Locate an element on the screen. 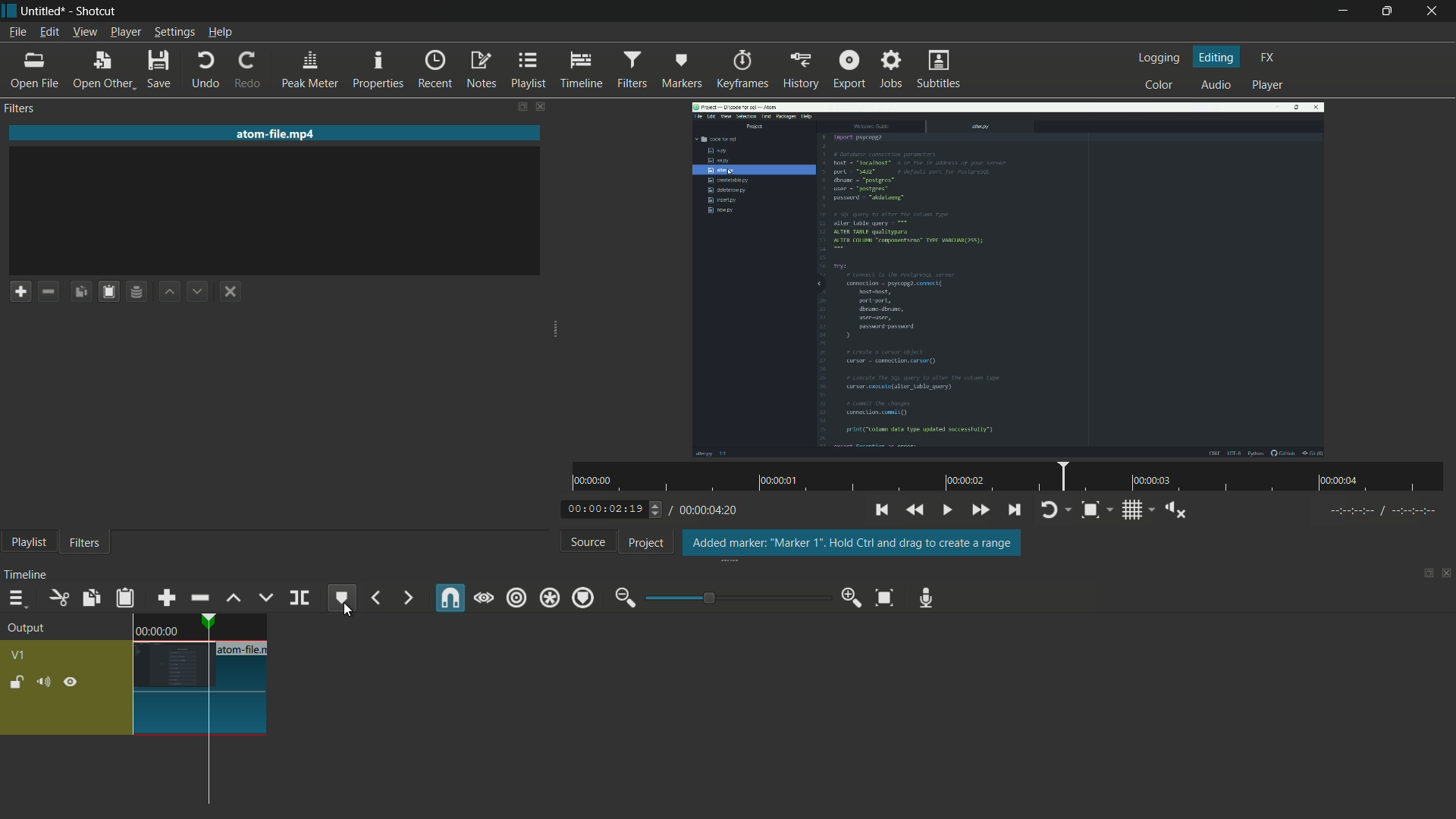 The image size is (1456, 819). toggle grid is located at coordinates (1132, 510).